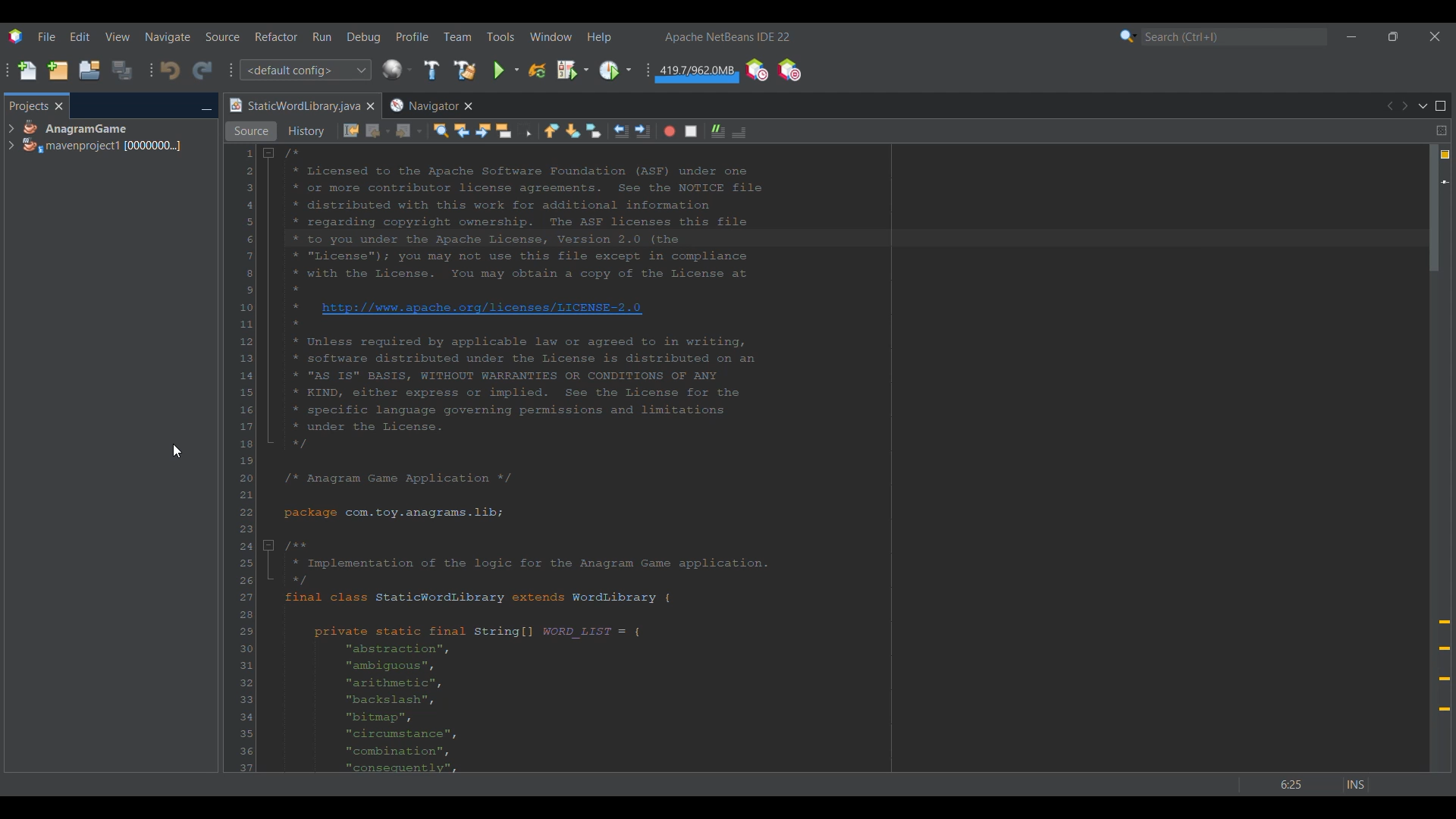  I want to click on Profile IDE, so click(756, 71).